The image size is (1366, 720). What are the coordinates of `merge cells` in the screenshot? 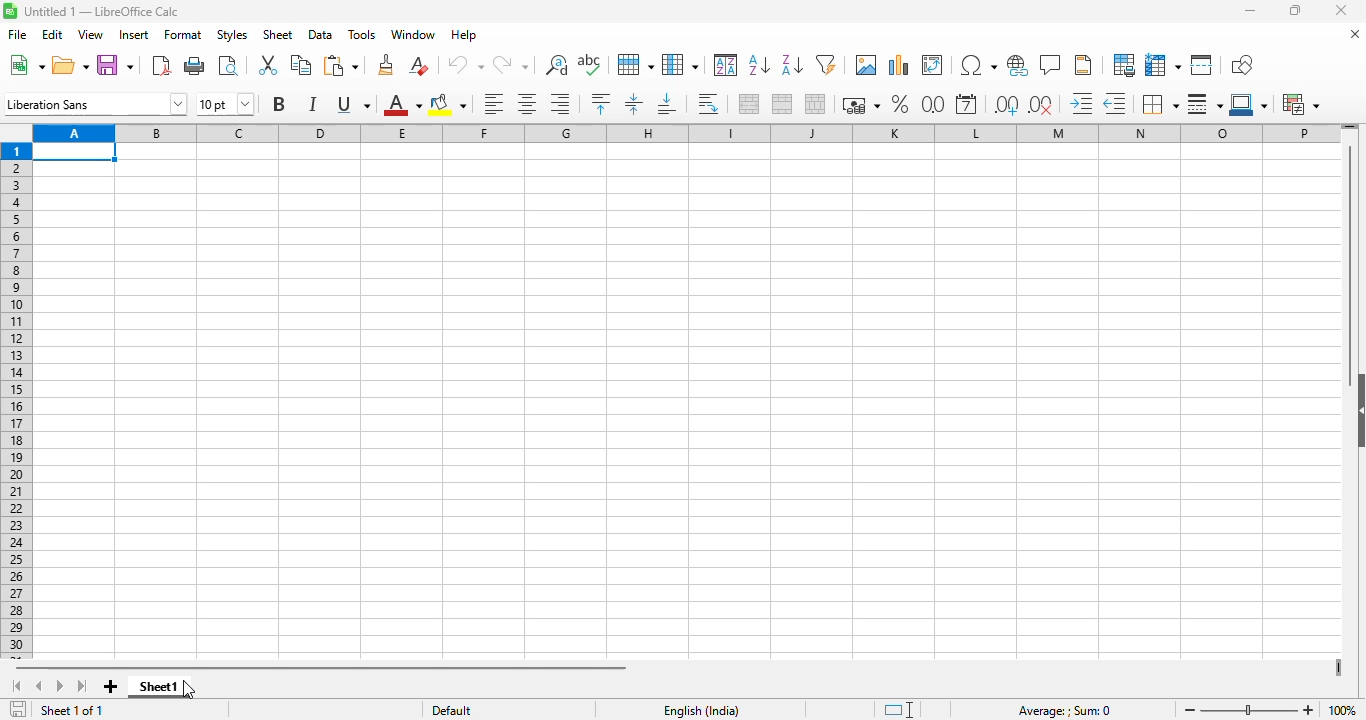 It's located at (784, 104).